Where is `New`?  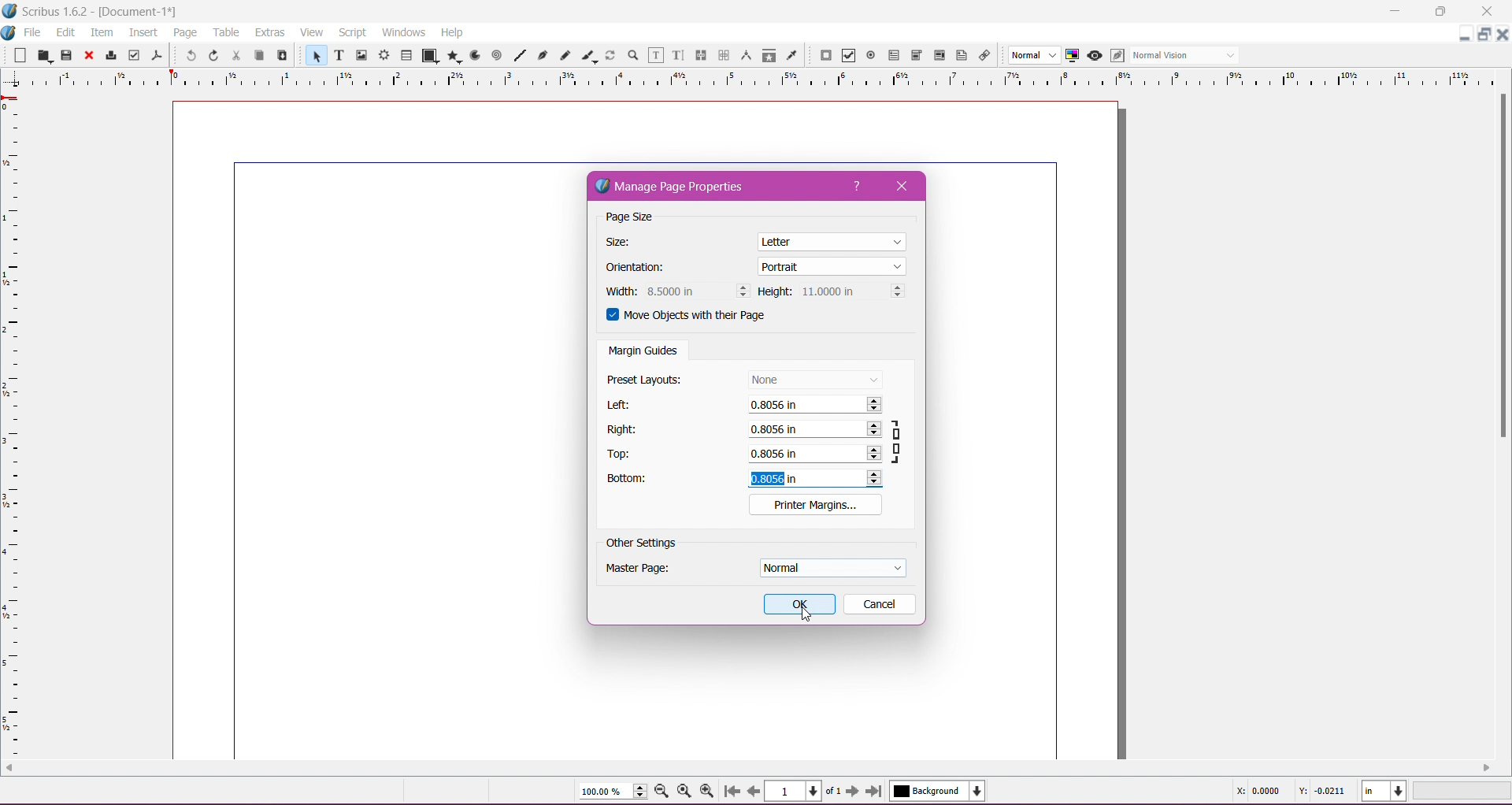 New is located at coordinates (15, 54).